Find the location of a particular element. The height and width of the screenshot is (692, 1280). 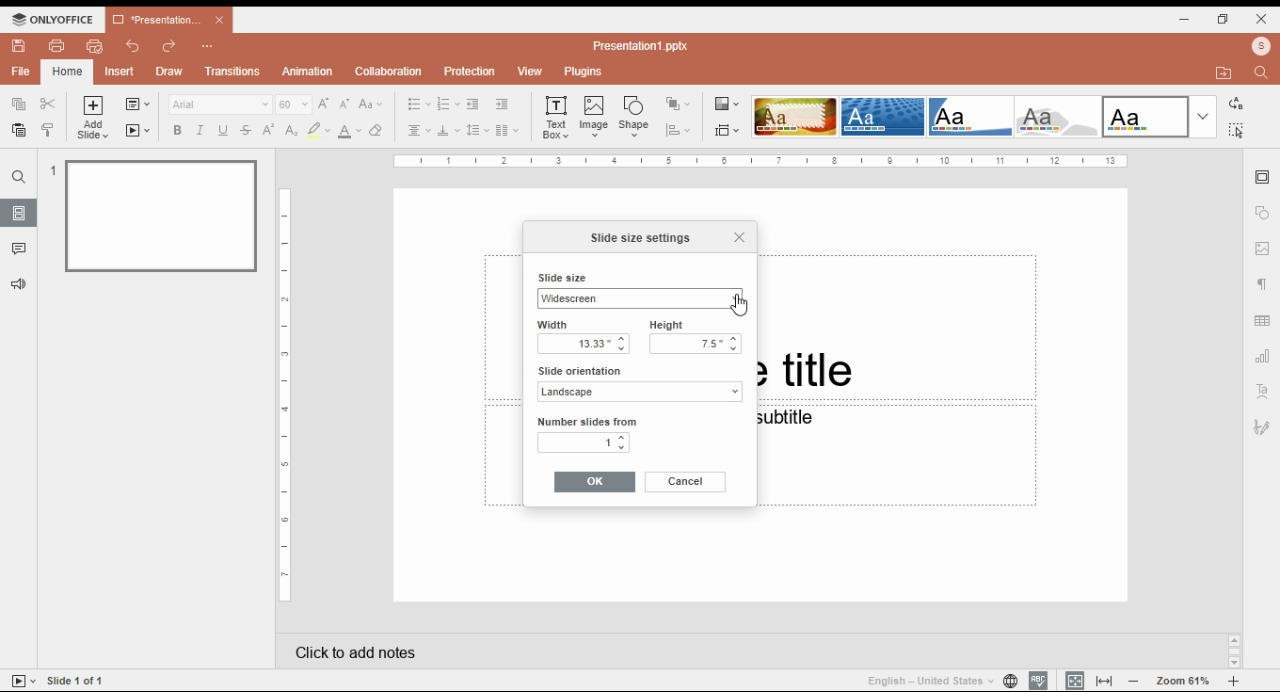

restore is located at coordinates (1223, 19).